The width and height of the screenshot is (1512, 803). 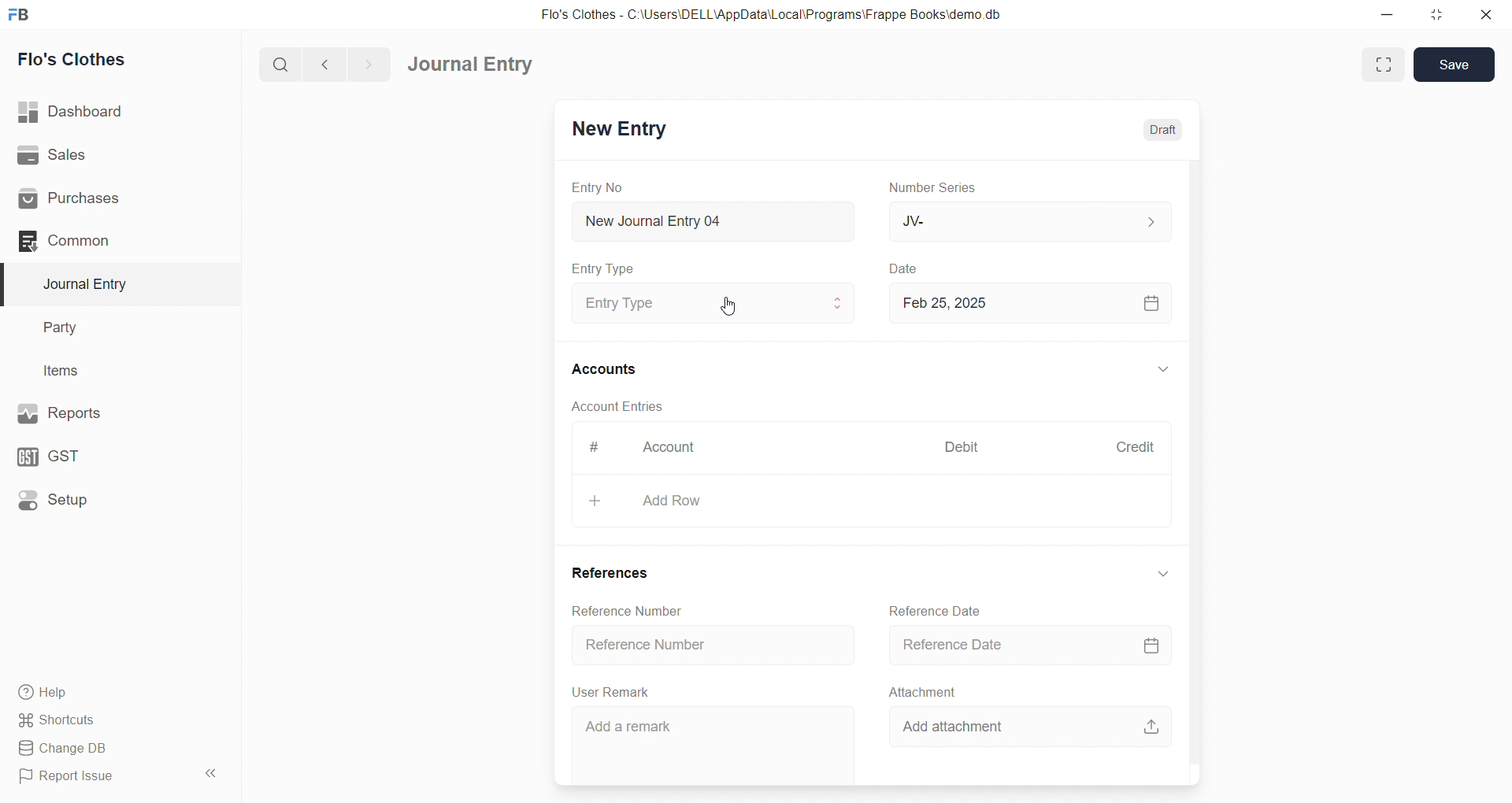 I want to click on New Entry, so click(x=617, y=131).